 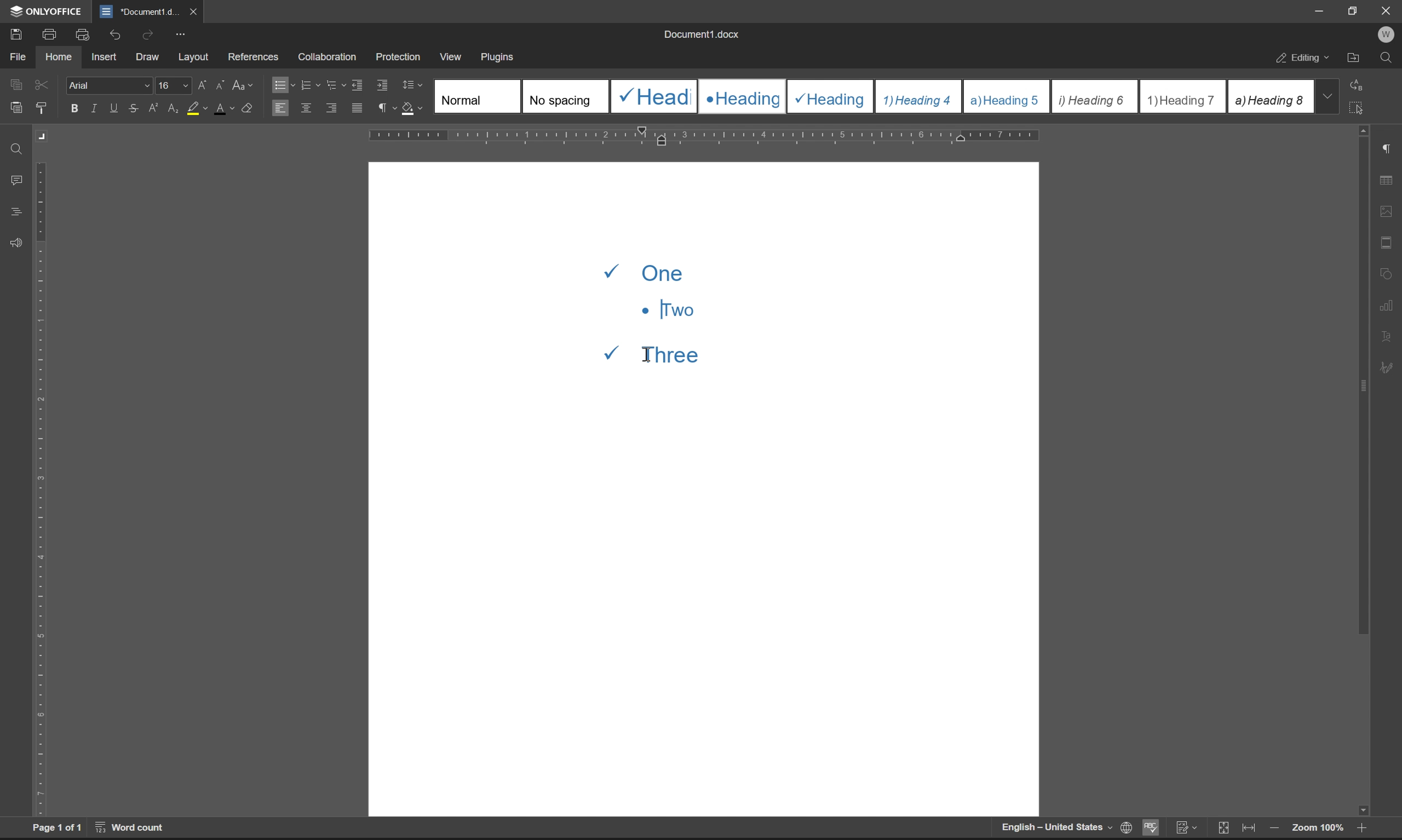 I want to click on Heading 7, so click(x=1183, y=97).